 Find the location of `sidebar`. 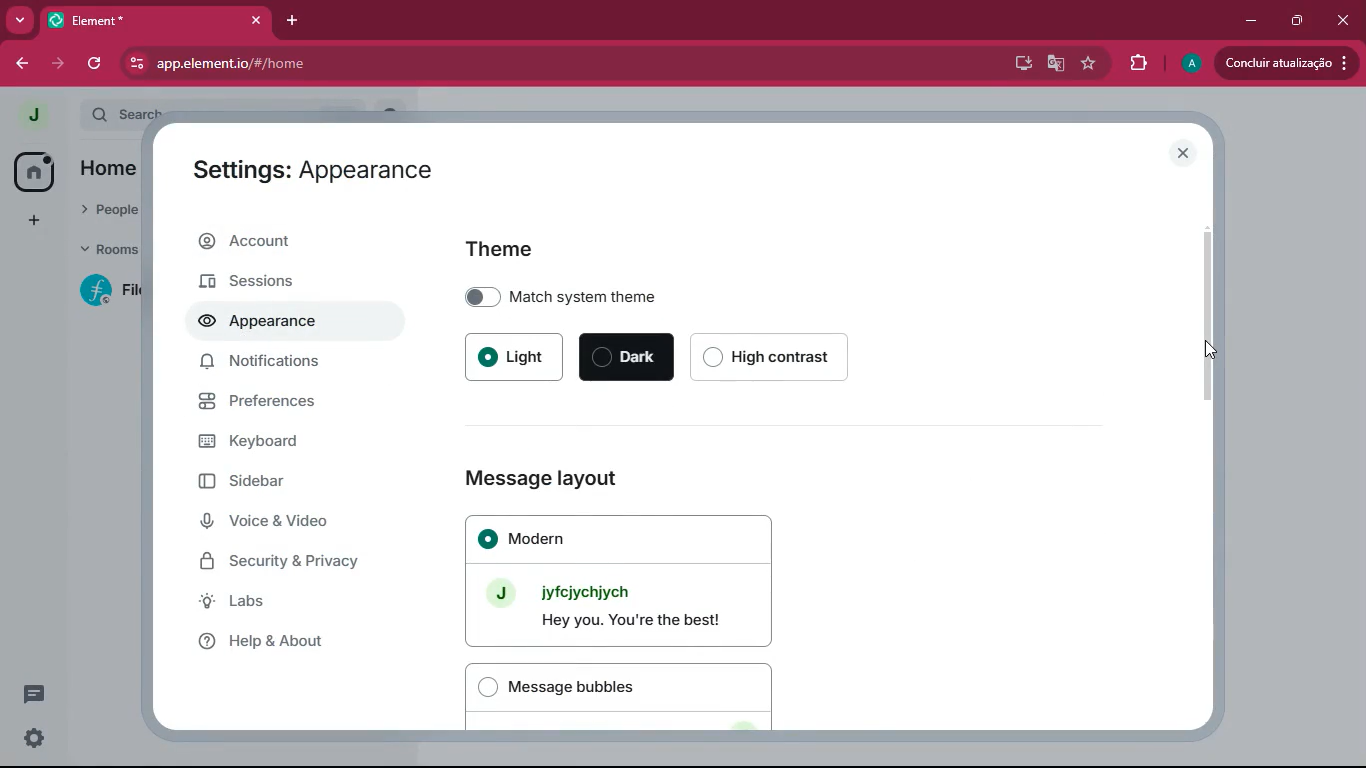

sidebar is located at coordinates (298, 487).